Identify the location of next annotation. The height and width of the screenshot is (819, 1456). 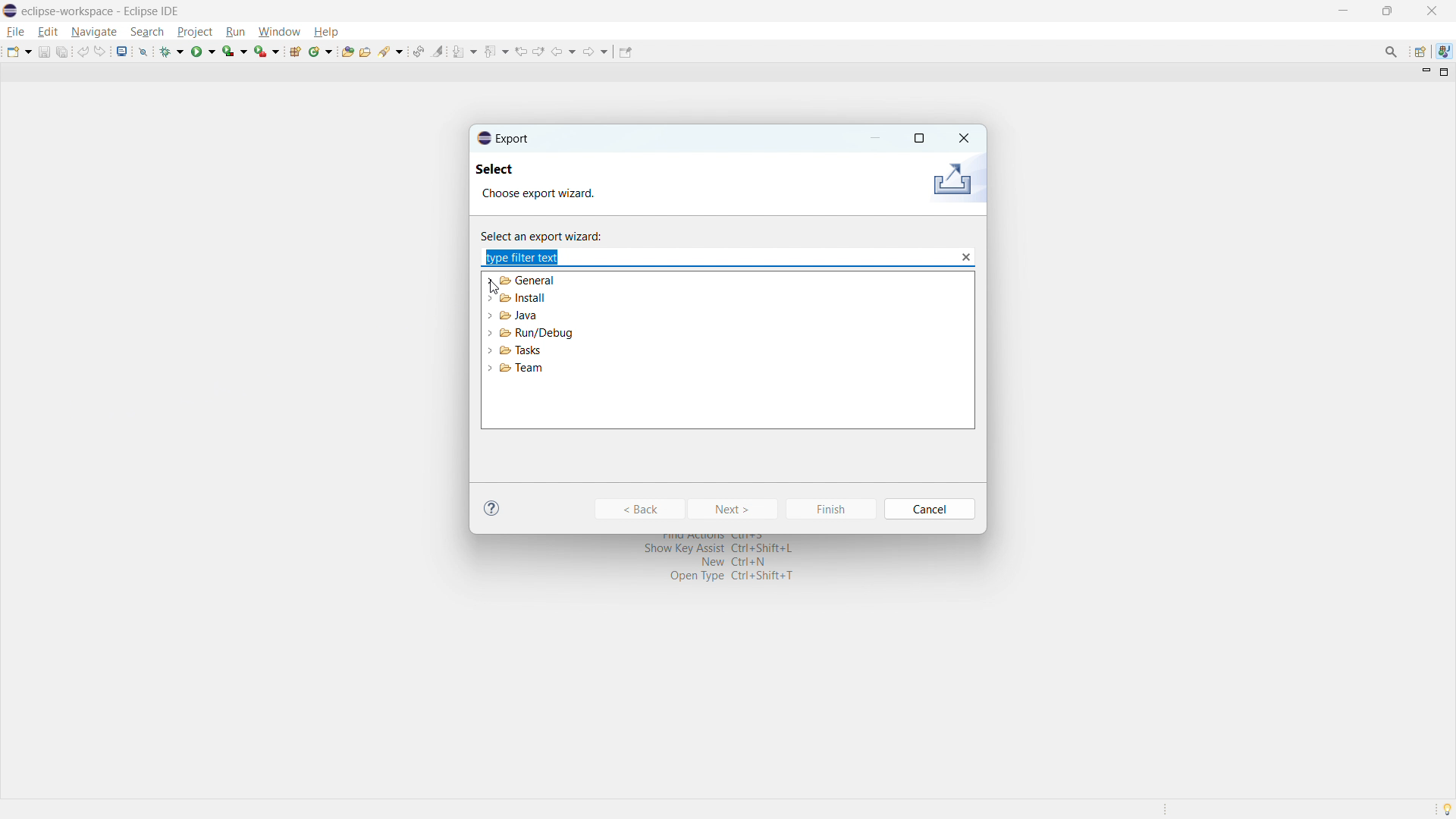
(465, 52).